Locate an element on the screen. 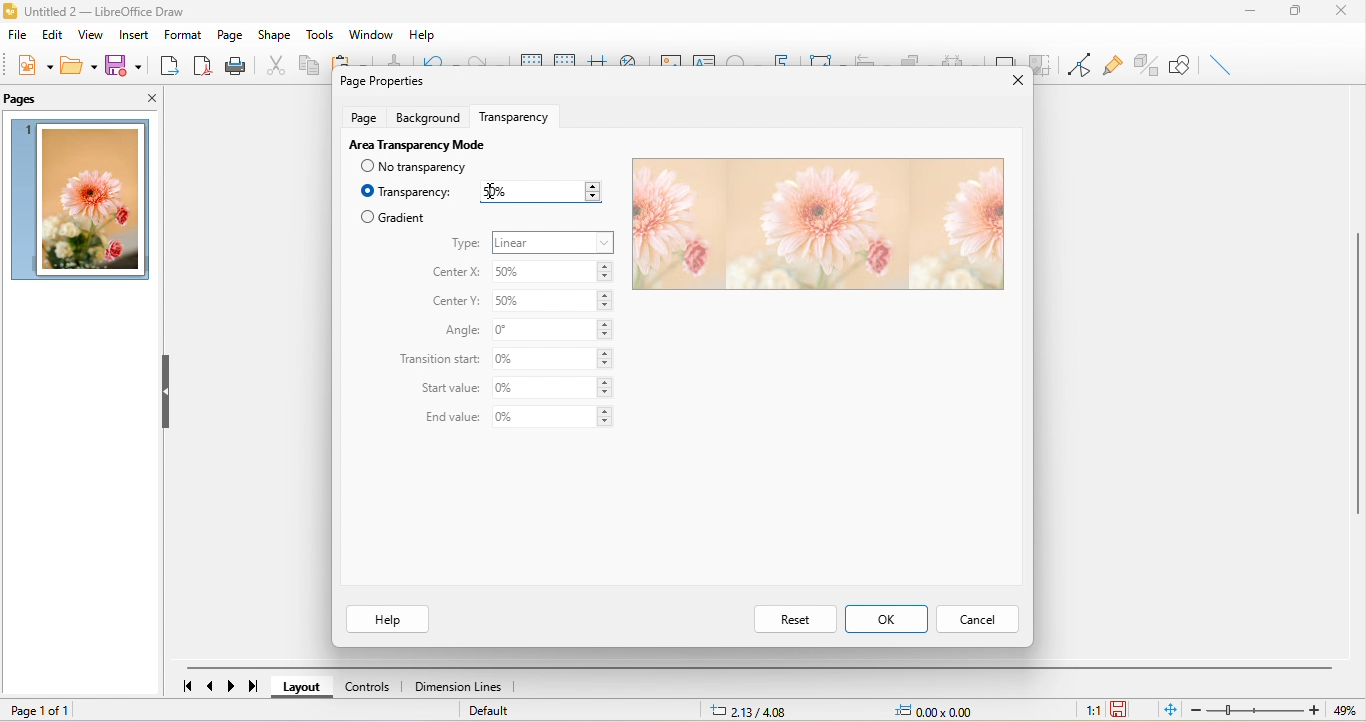  close is located at coordinates (1346, 14).